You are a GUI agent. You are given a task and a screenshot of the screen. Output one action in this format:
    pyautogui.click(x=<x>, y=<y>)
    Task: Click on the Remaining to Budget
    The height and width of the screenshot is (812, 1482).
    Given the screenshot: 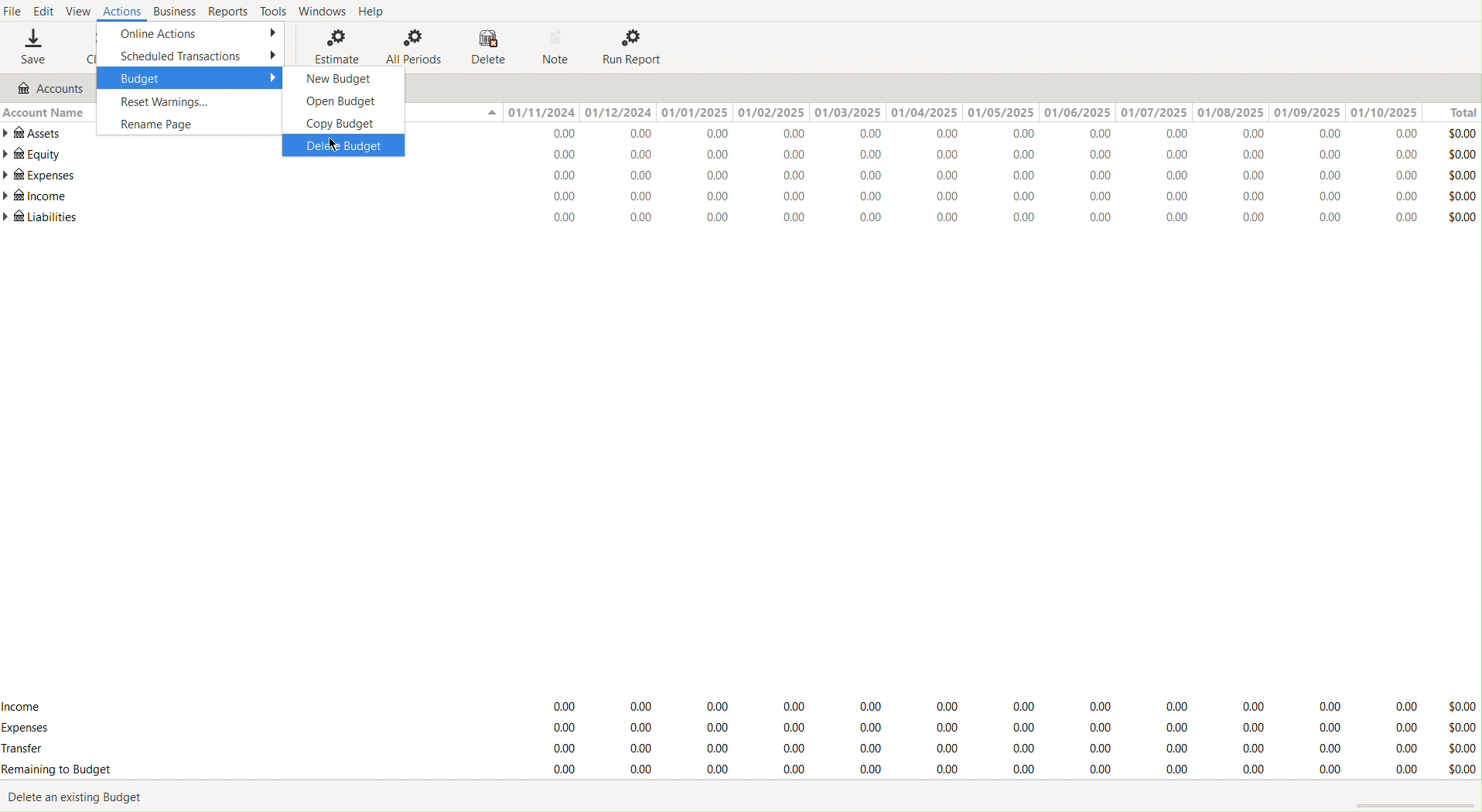 What is the action you would take?
    pyautogui.click(x=984, y=770)
    